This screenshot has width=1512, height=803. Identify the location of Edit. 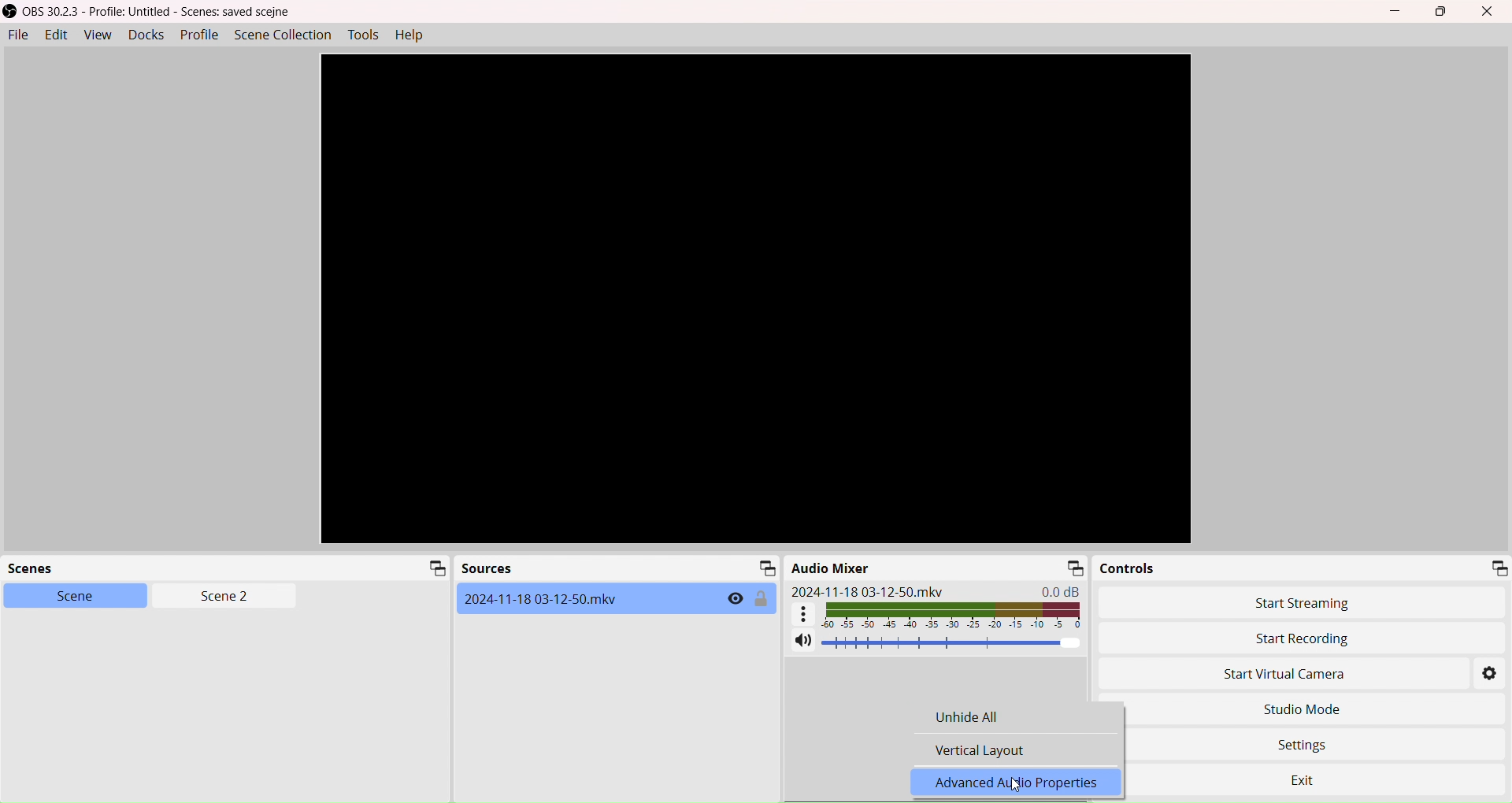
(54, 35).